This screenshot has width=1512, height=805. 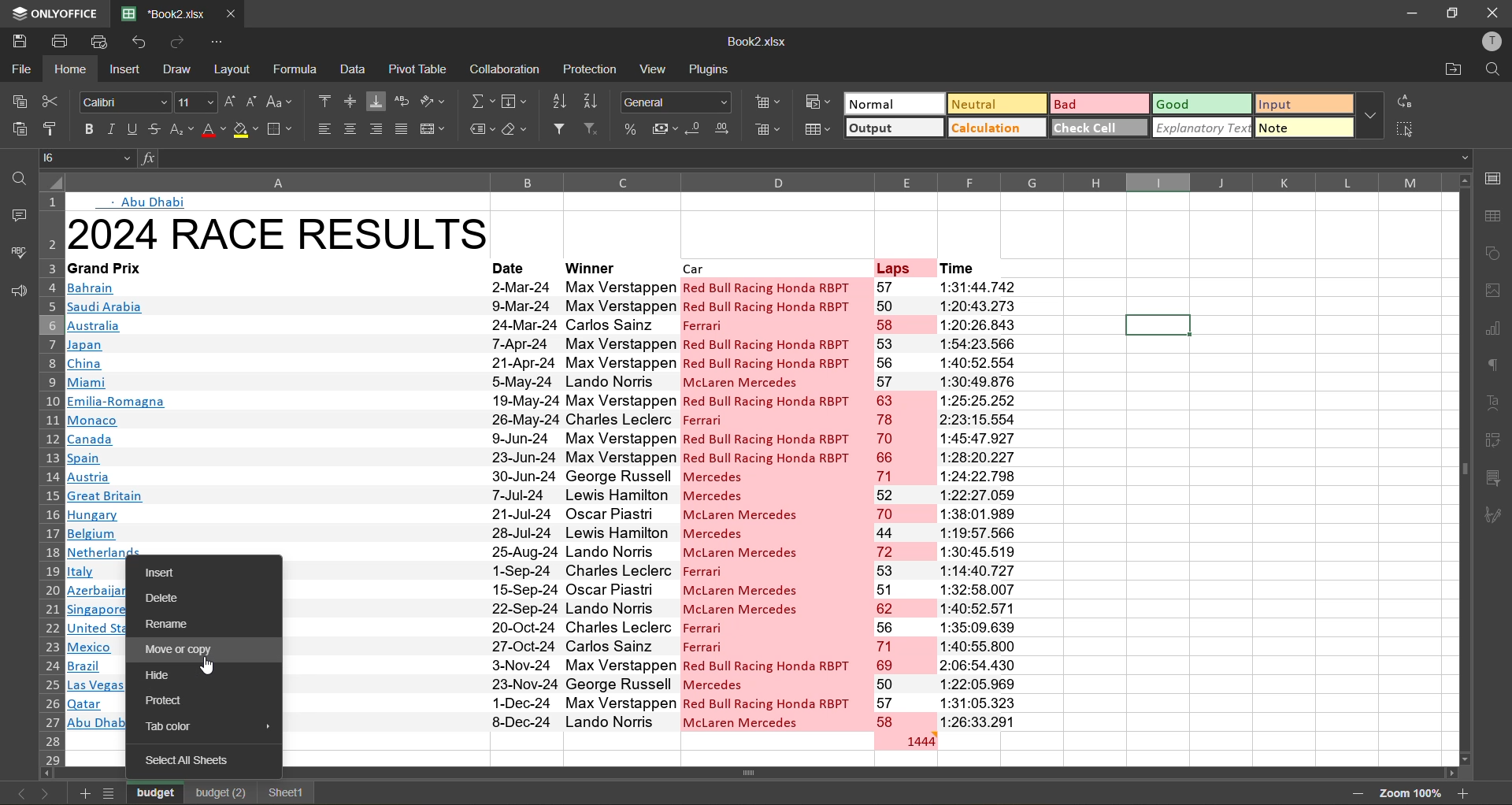 What do you see at coordinates (894, 129) in the screenshot?
I see `output` at bounding box center [894, 129].